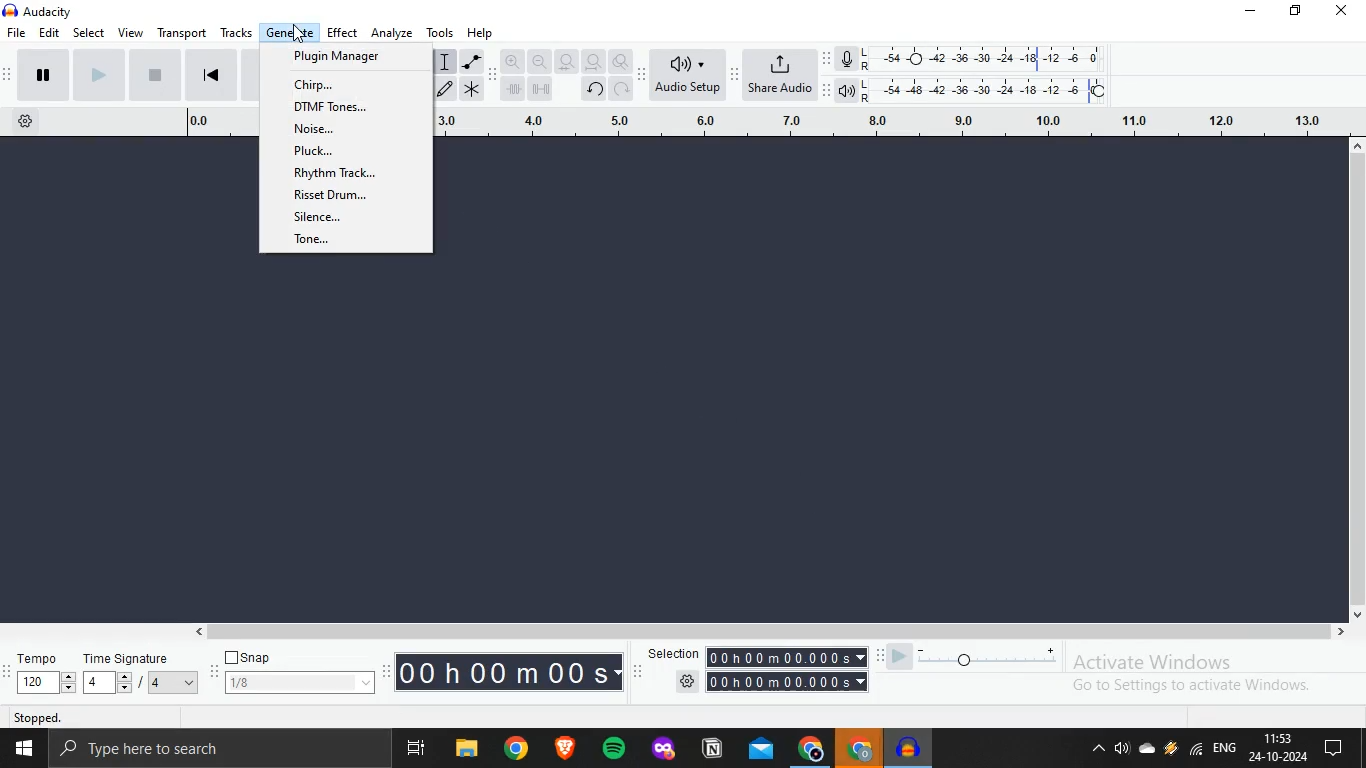 The height and width of the screenshot is (768, 1366). I want to click on Close, so click(1348, 16).